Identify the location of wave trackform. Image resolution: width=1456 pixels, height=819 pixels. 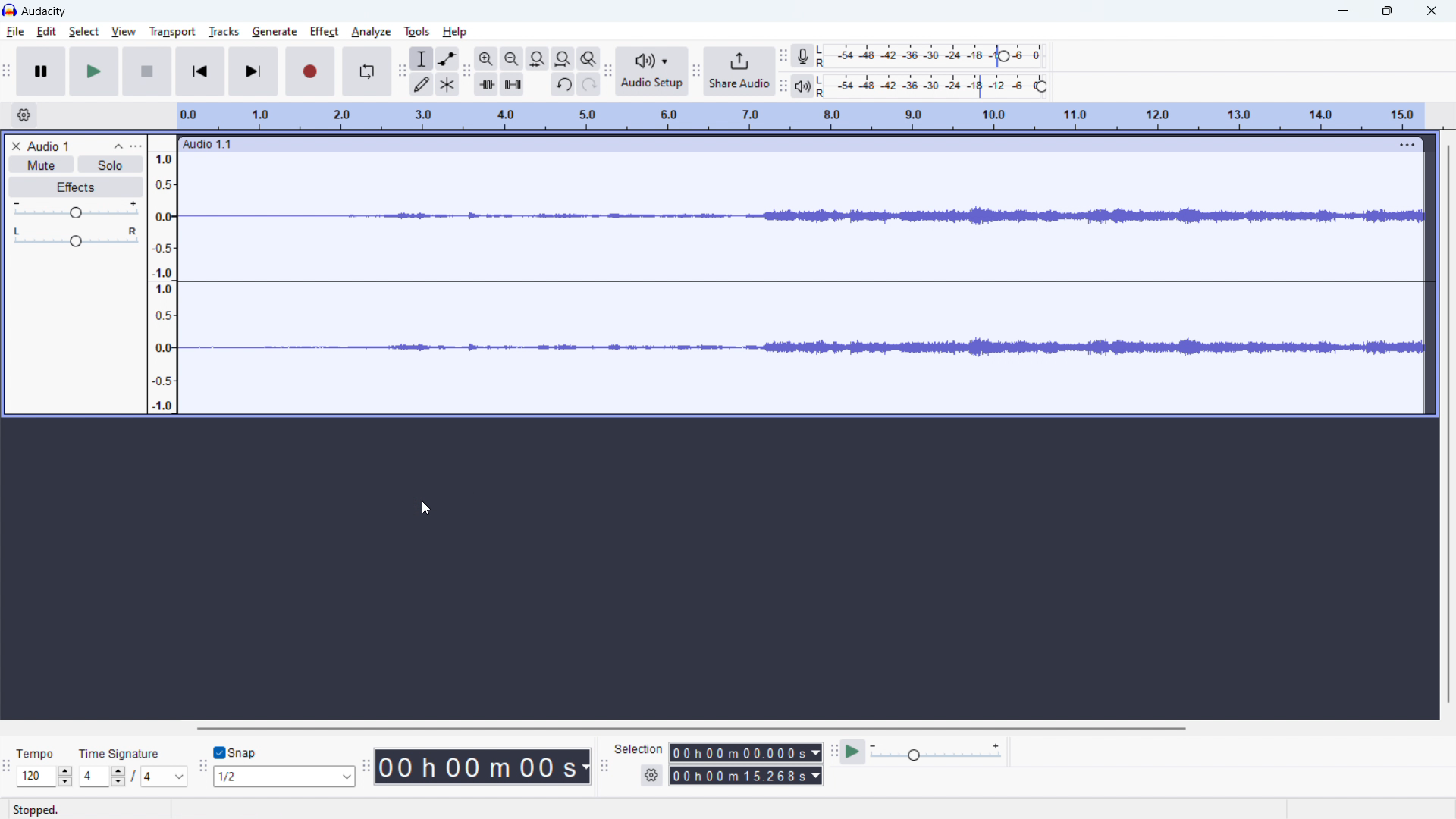
(800, 355).